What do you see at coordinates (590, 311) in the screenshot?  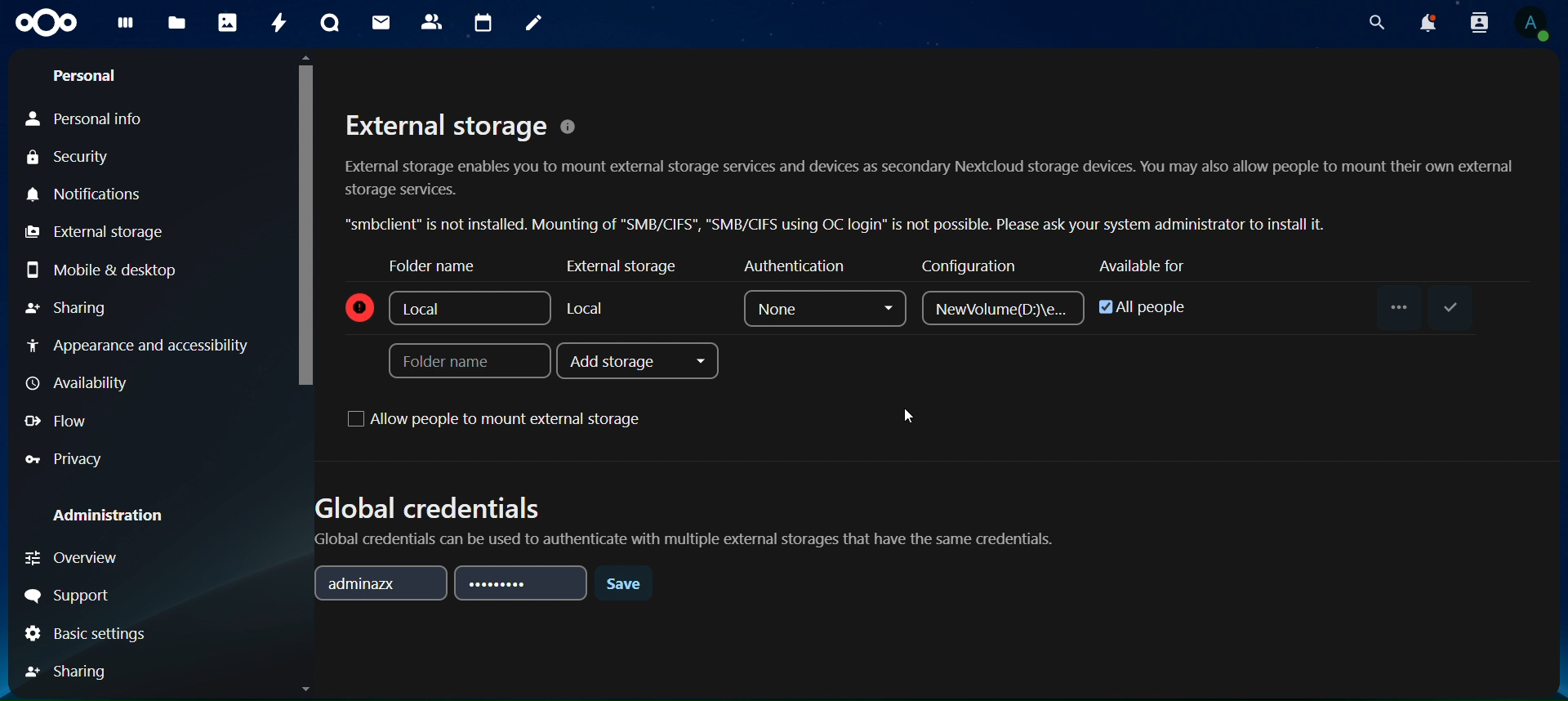 I see `local` at bounding box center [590, 311].